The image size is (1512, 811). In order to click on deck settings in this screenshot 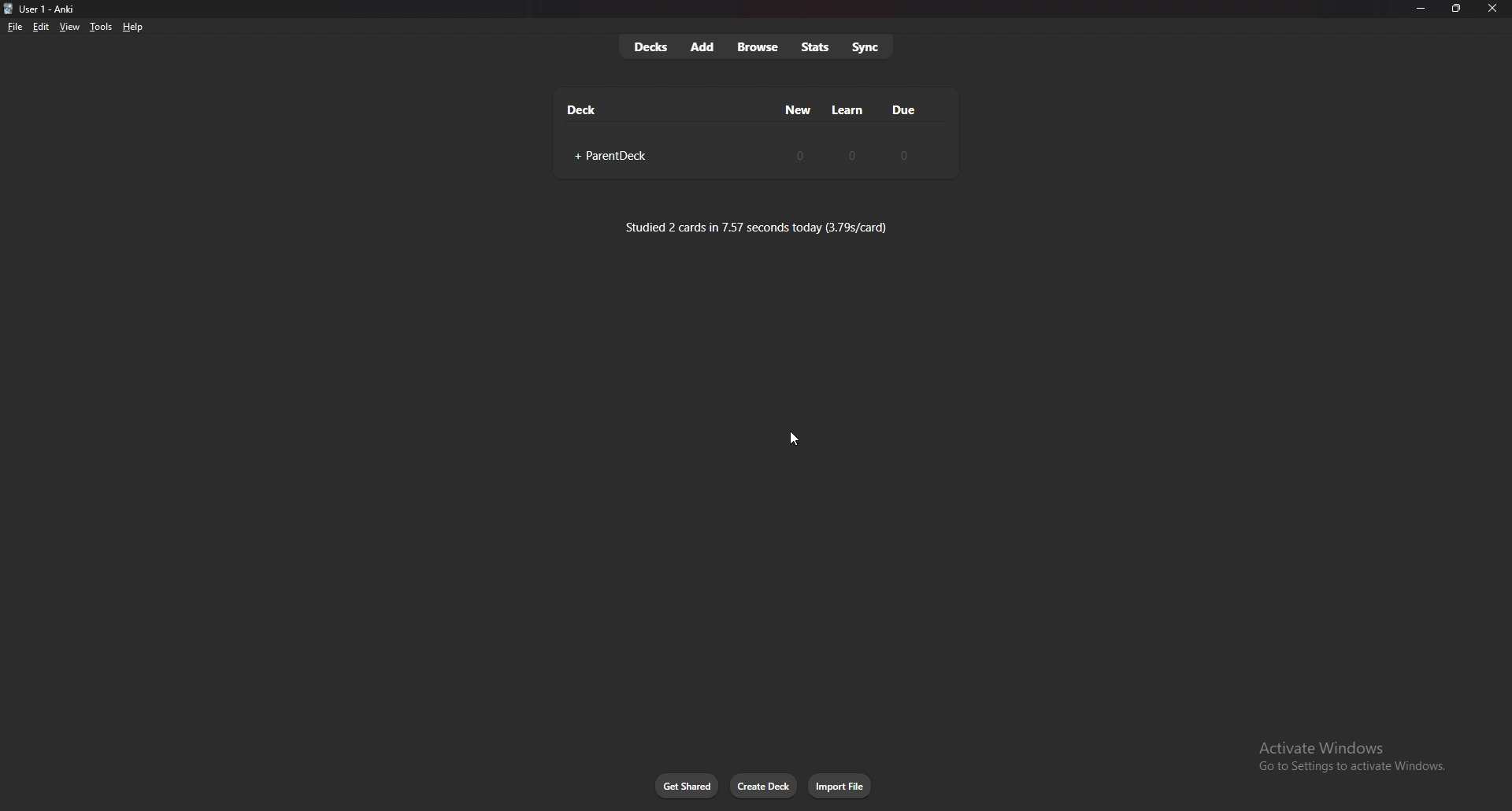, I will do `click(932, 154)`.